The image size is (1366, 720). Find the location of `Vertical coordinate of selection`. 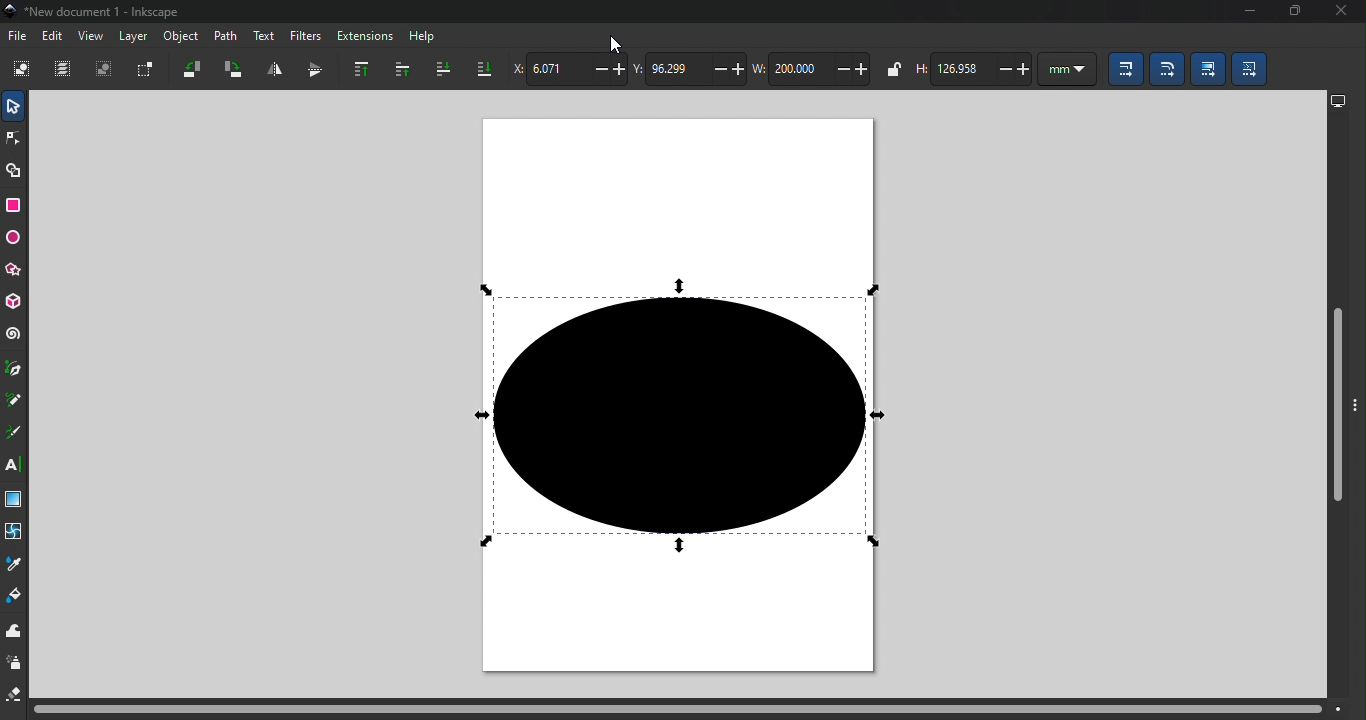

Vertical coordinate of selection is located at coordinates (692, 71).